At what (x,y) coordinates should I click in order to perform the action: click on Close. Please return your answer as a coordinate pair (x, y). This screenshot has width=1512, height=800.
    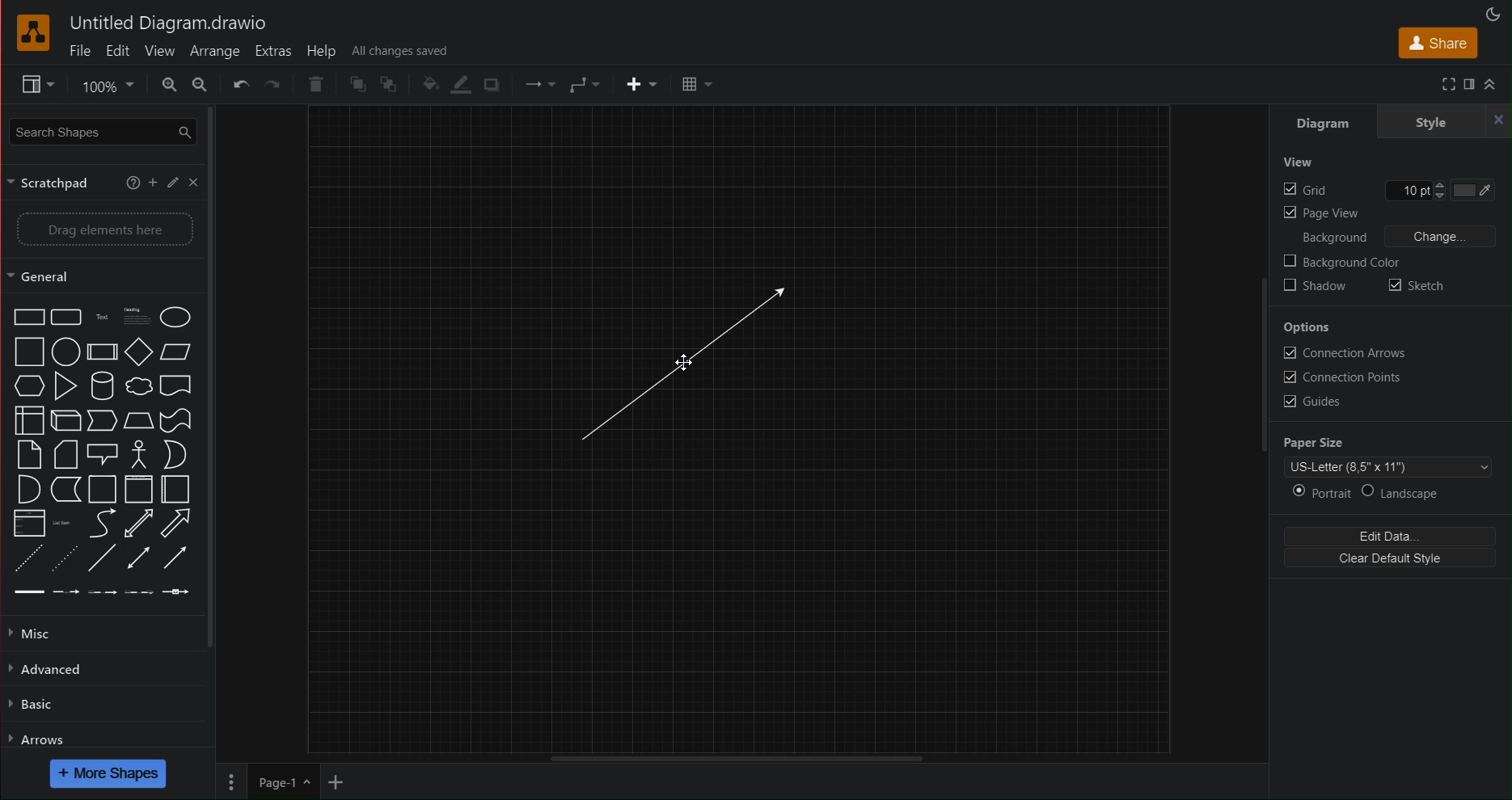
    Looking at the image, I should click on (1500, 122).